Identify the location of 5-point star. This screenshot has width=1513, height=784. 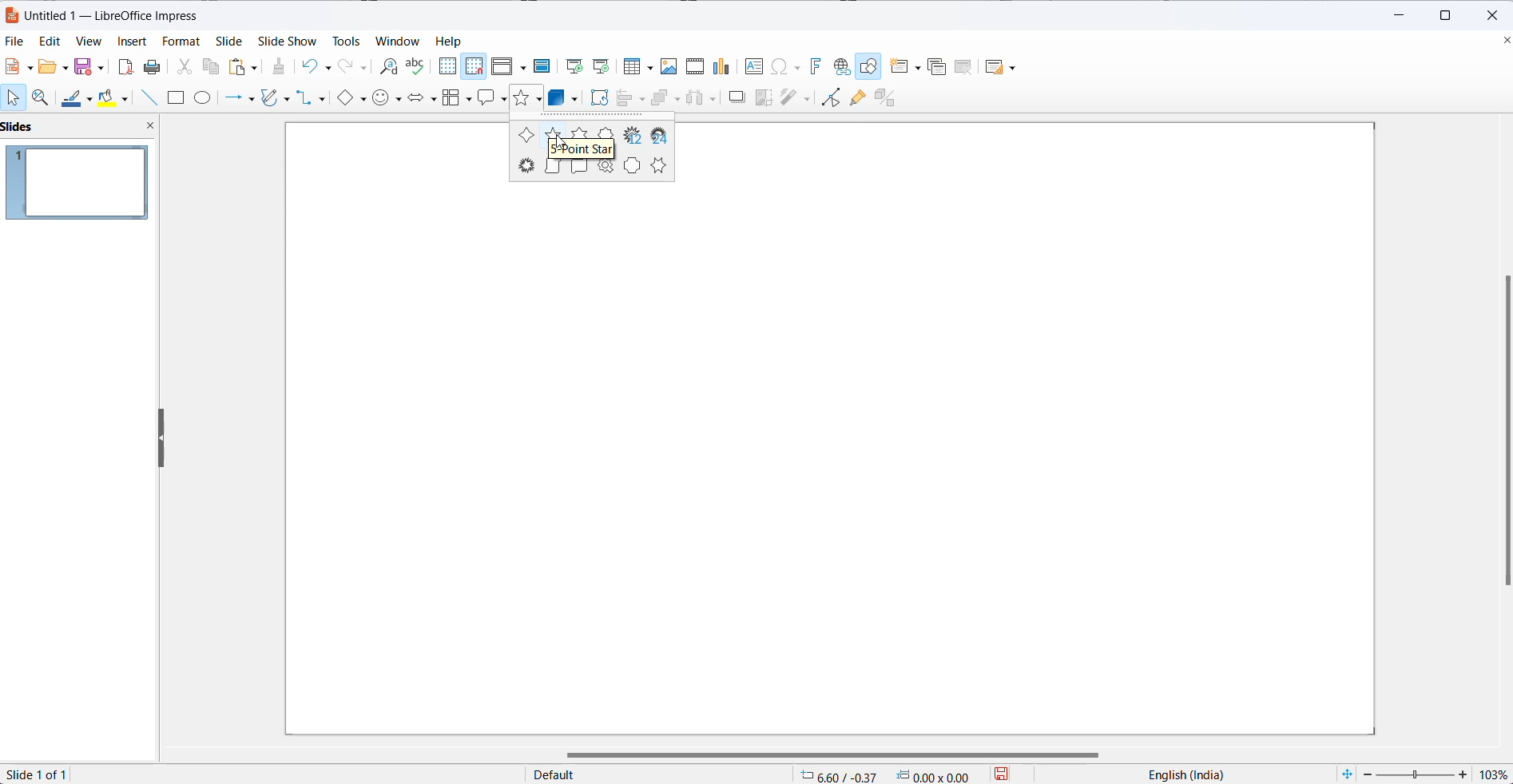
(557, 130).